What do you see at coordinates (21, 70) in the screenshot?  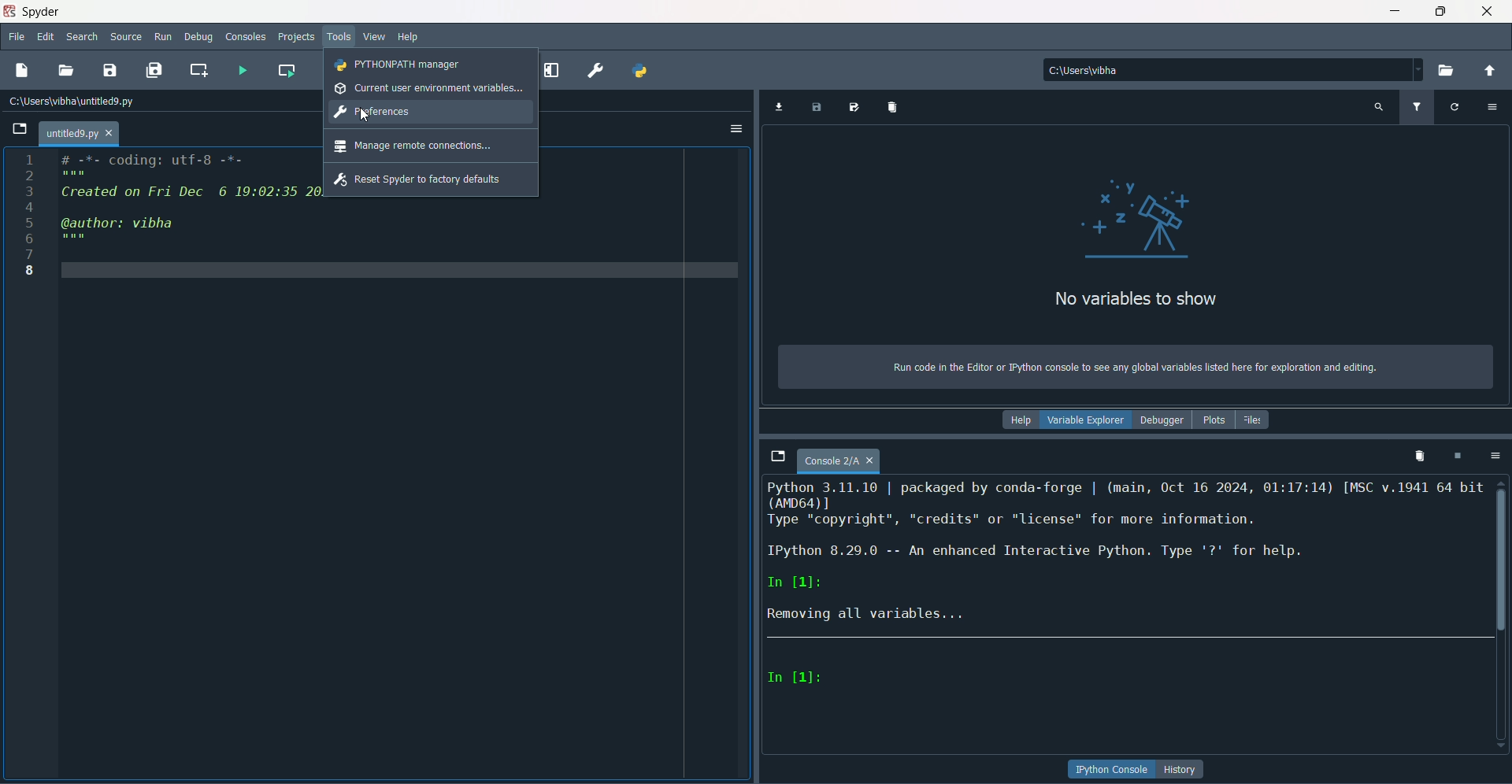 I see `new file` at bounding box center [21, 70].